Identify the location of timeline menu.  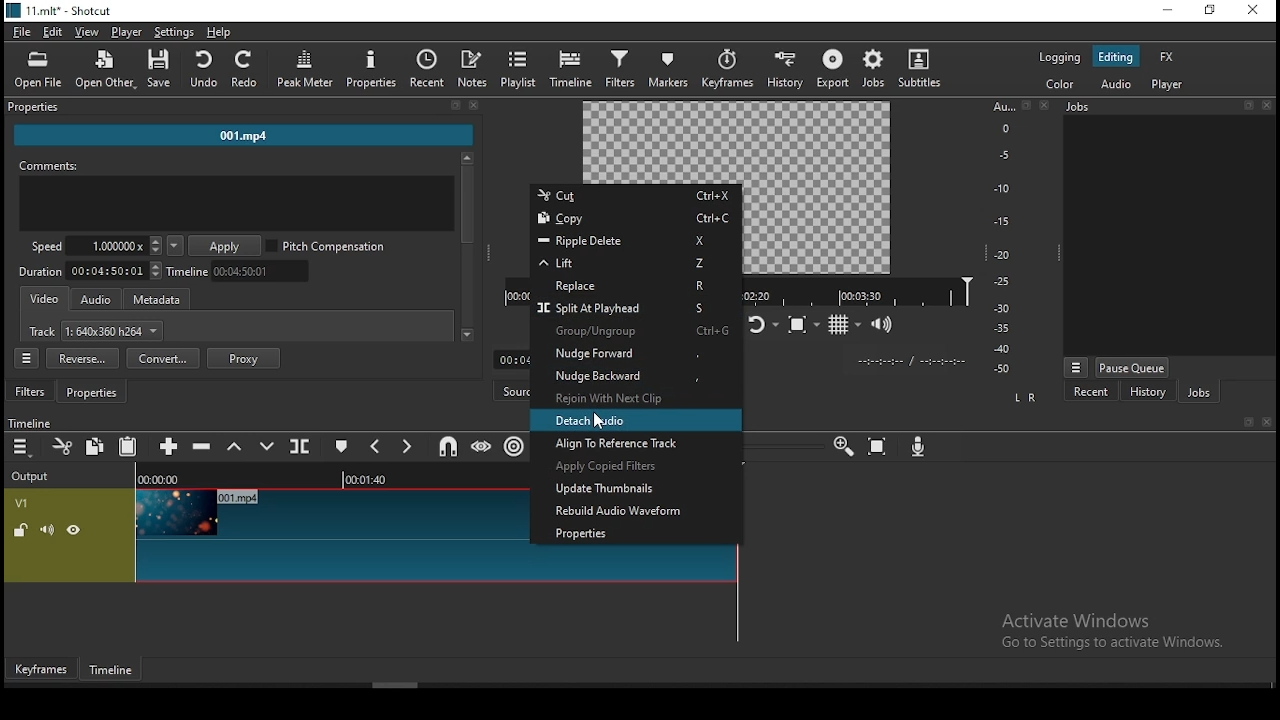
(22, 447).